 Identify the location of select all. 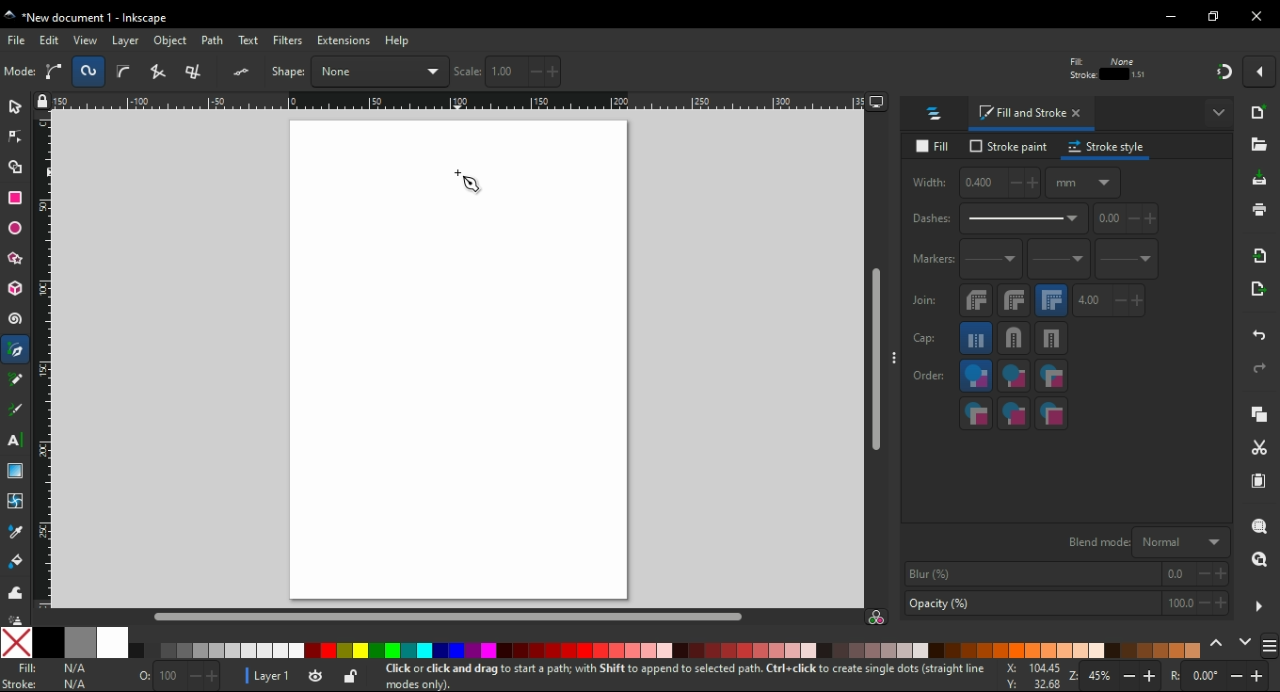
(20, 72).